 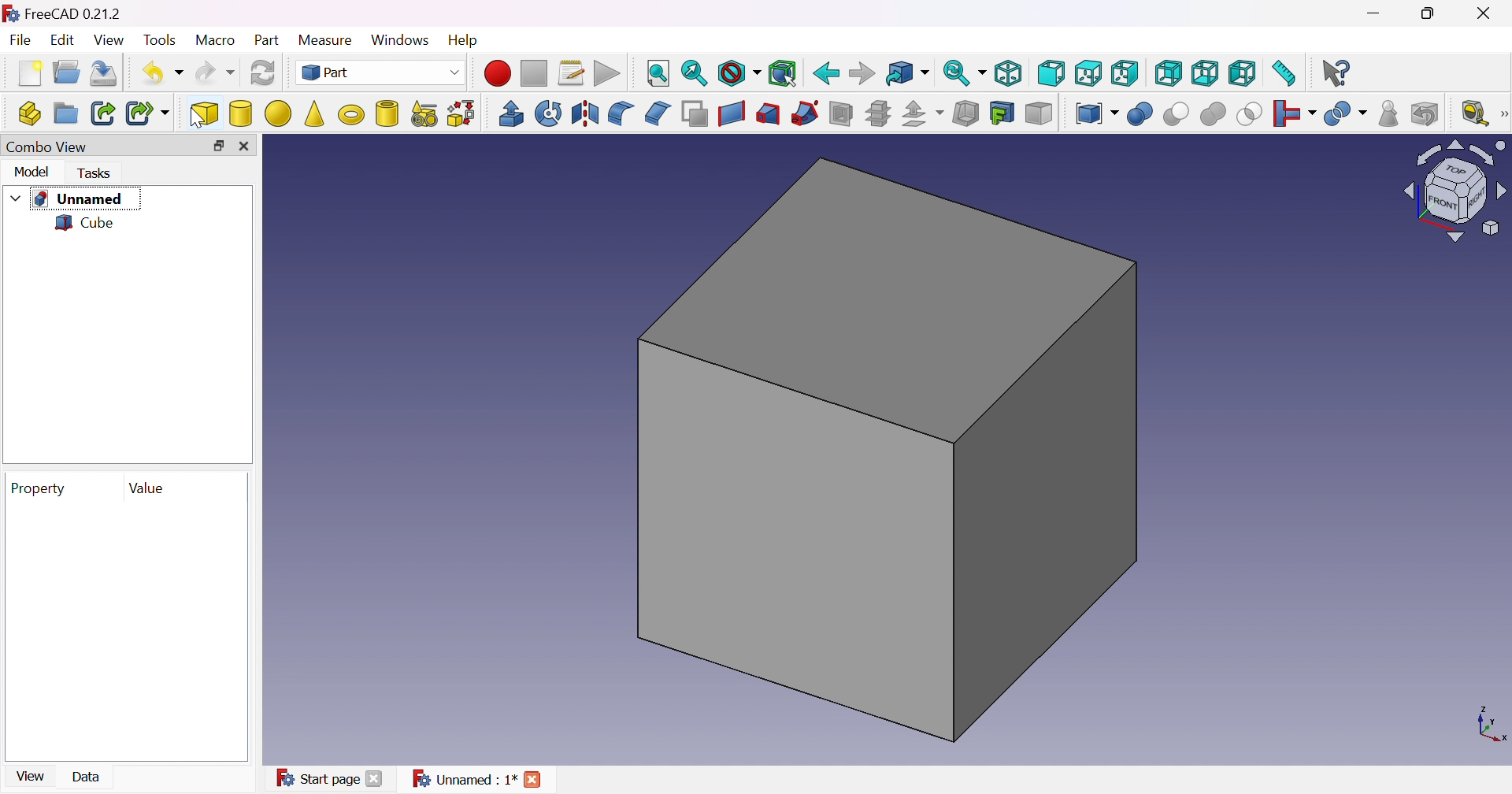 I want to click on Execute macros, so click(x=607, y=74).